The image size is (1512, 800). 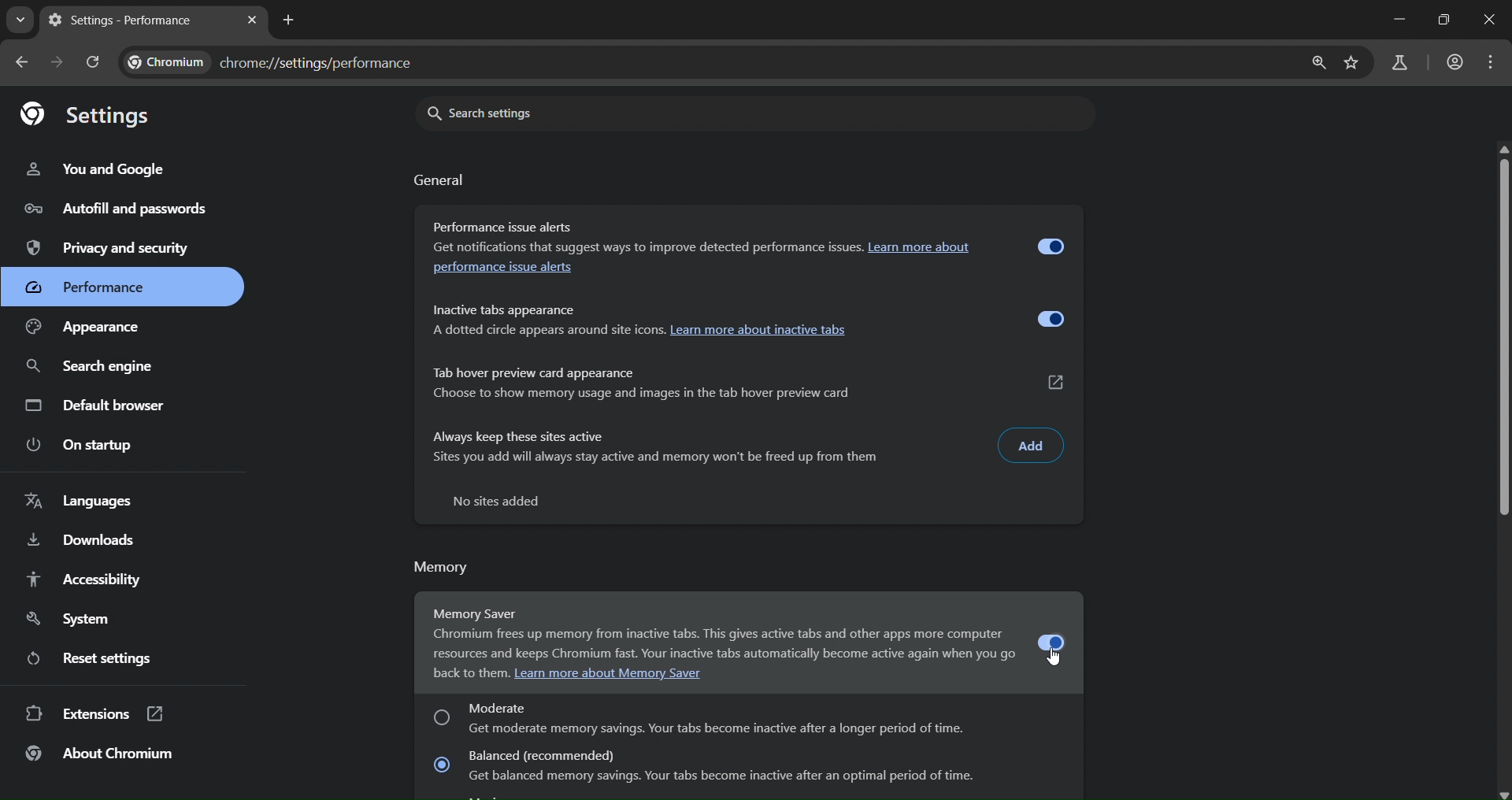 What do you see at coordinates (921, 247) in the screenshot?
I see `Learn more about` at bounding box center [921, 247].